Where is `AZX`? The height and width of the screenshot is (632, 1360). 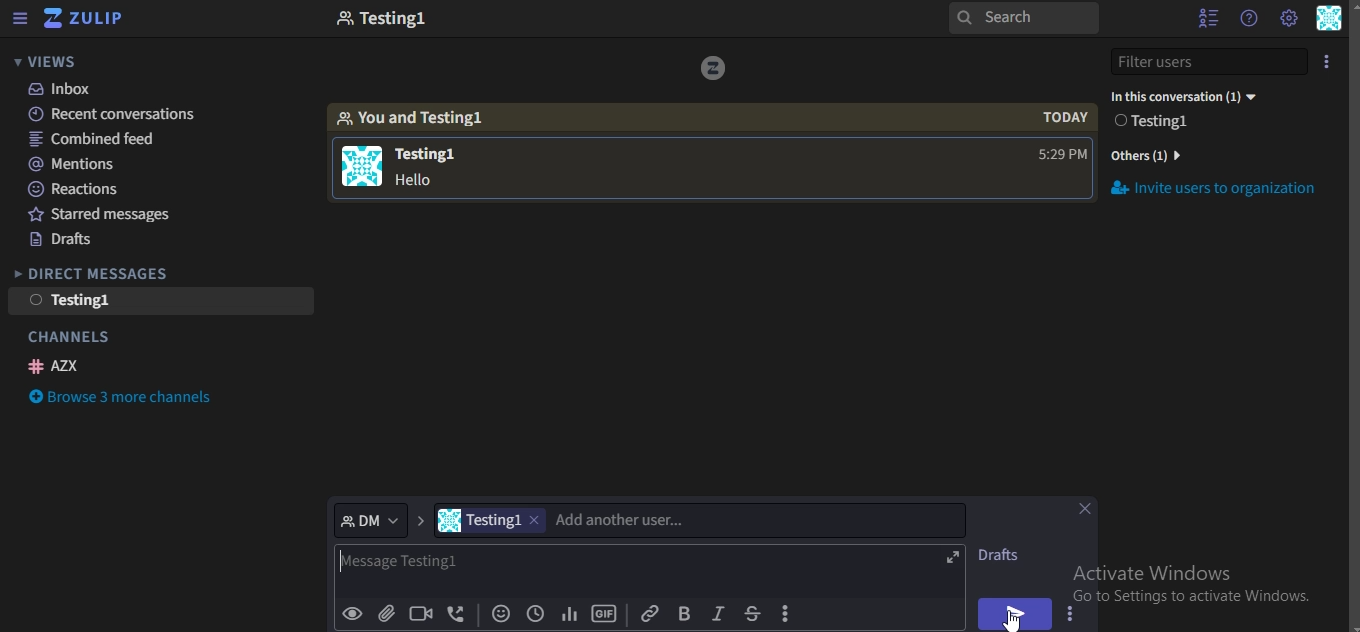 AZX is located at coordinates (55, 366).